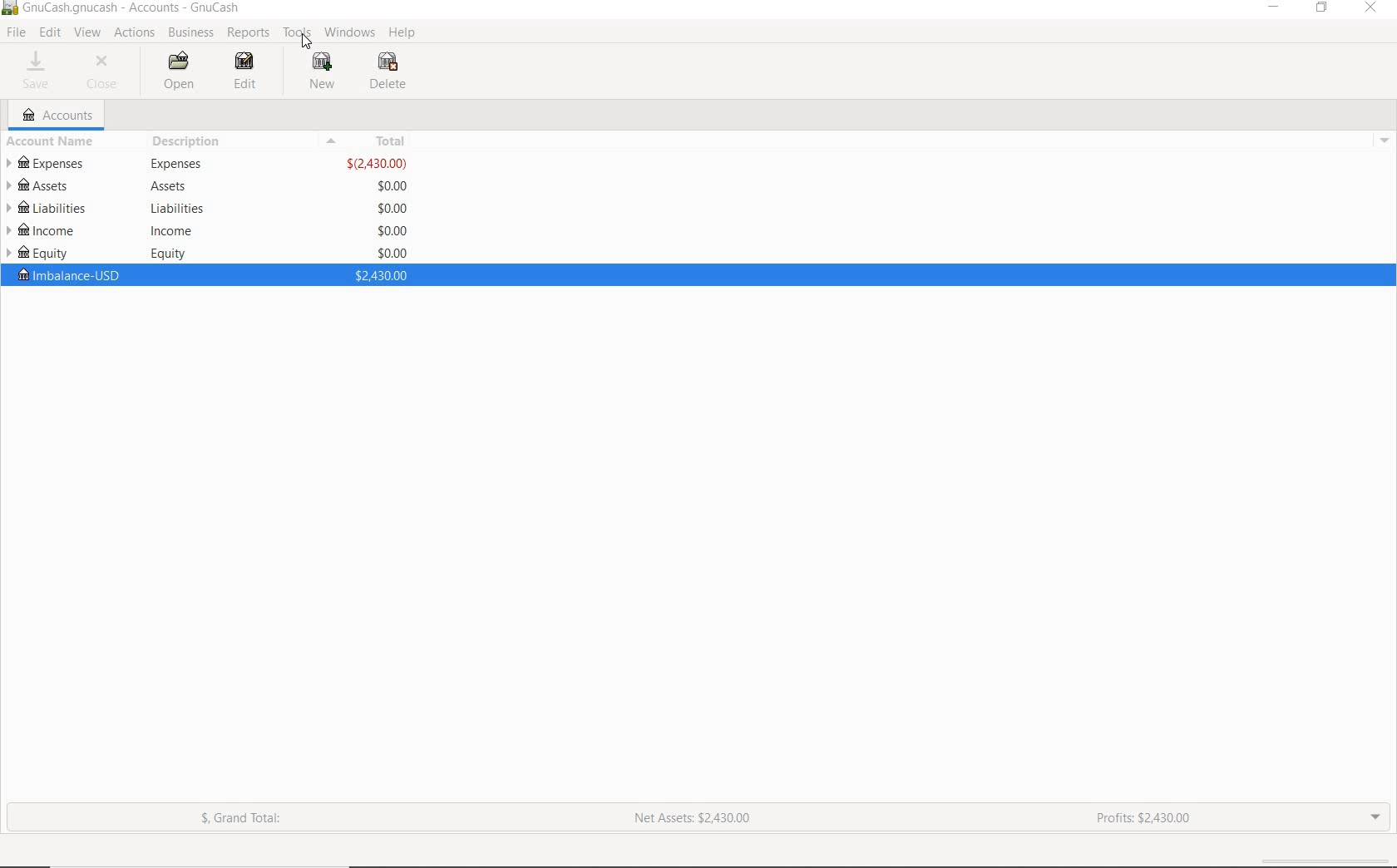  I want to click on INCOME, so click(46, 232).